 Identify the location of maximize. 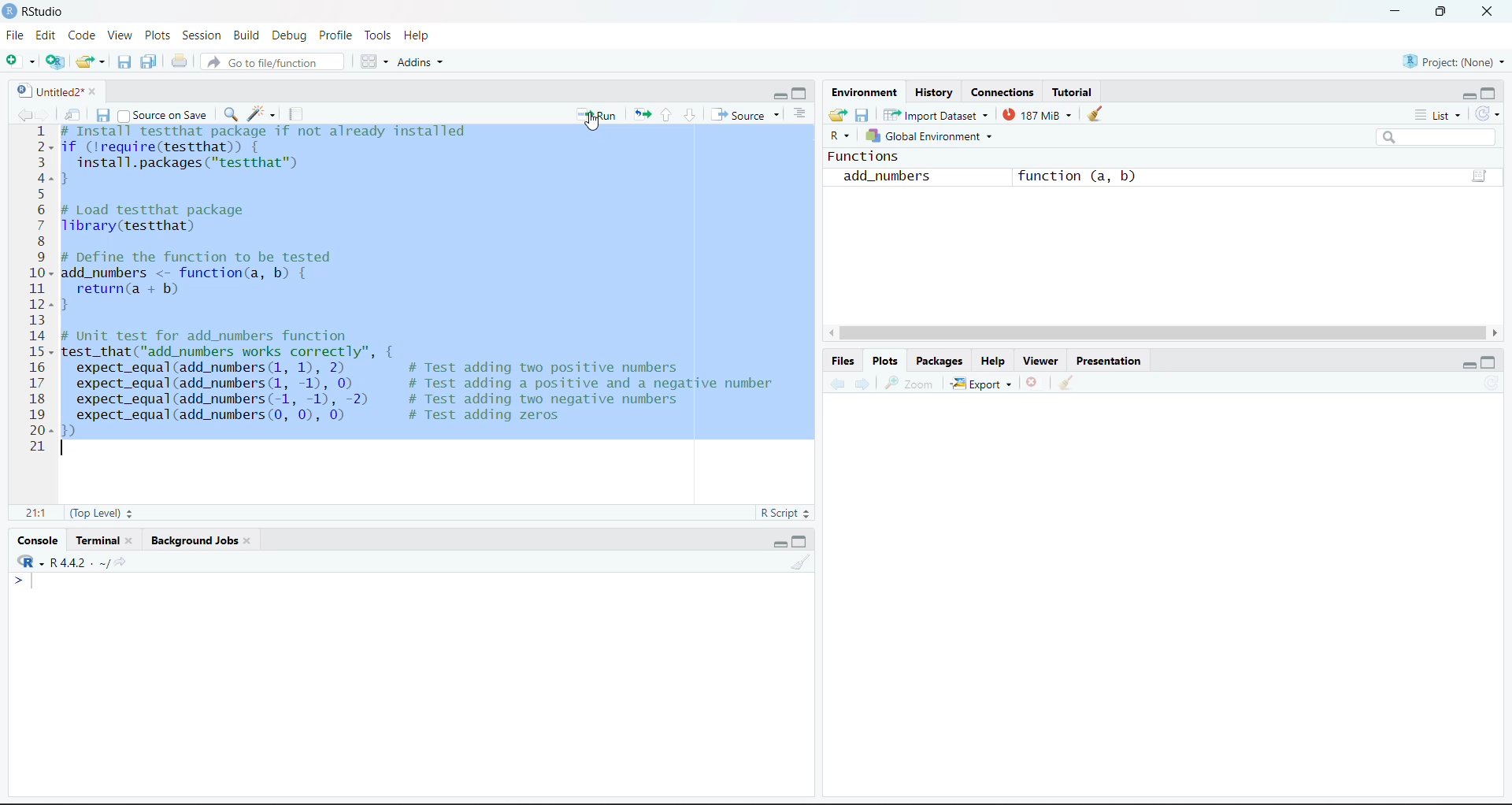
(1490, 93).